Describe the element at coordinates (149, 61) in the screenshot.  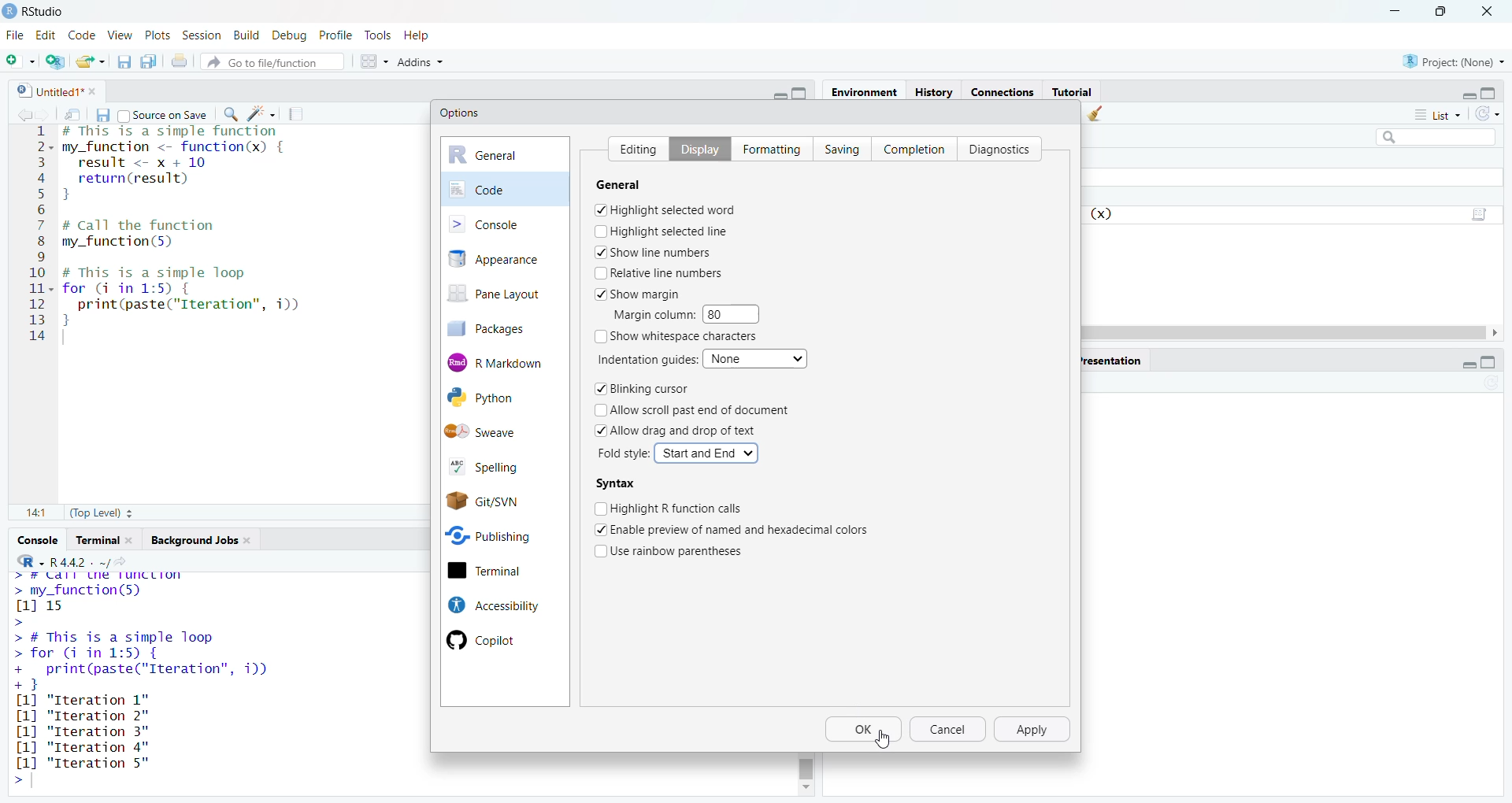
I see `save all open documents` at that location.